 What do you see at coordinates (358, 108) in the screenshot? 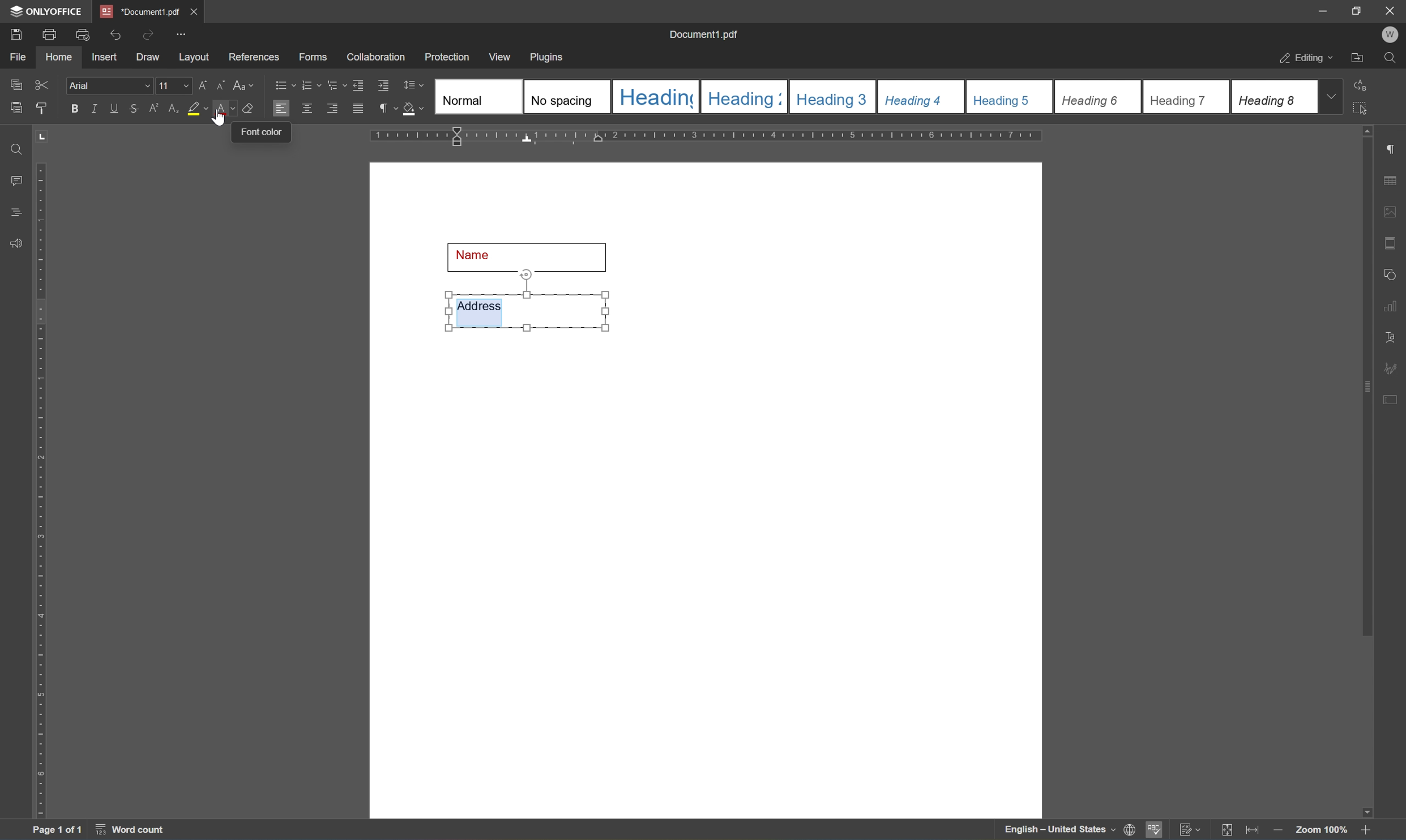
I see `justified` at bounding box center [358, 108].